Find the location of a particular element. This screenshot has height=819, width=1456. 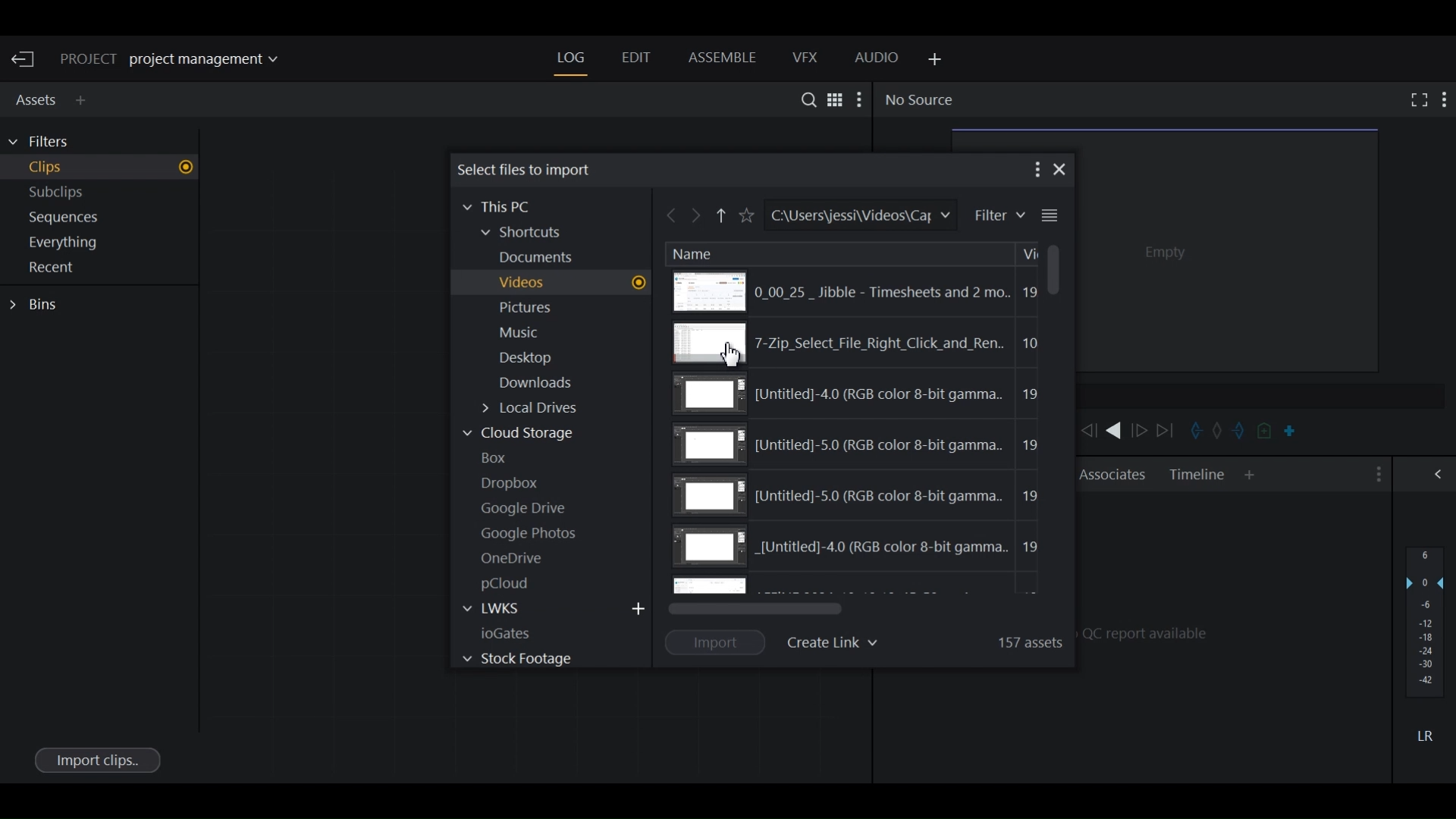

Nudge one frame backward is located at coordinates (1088, 431).